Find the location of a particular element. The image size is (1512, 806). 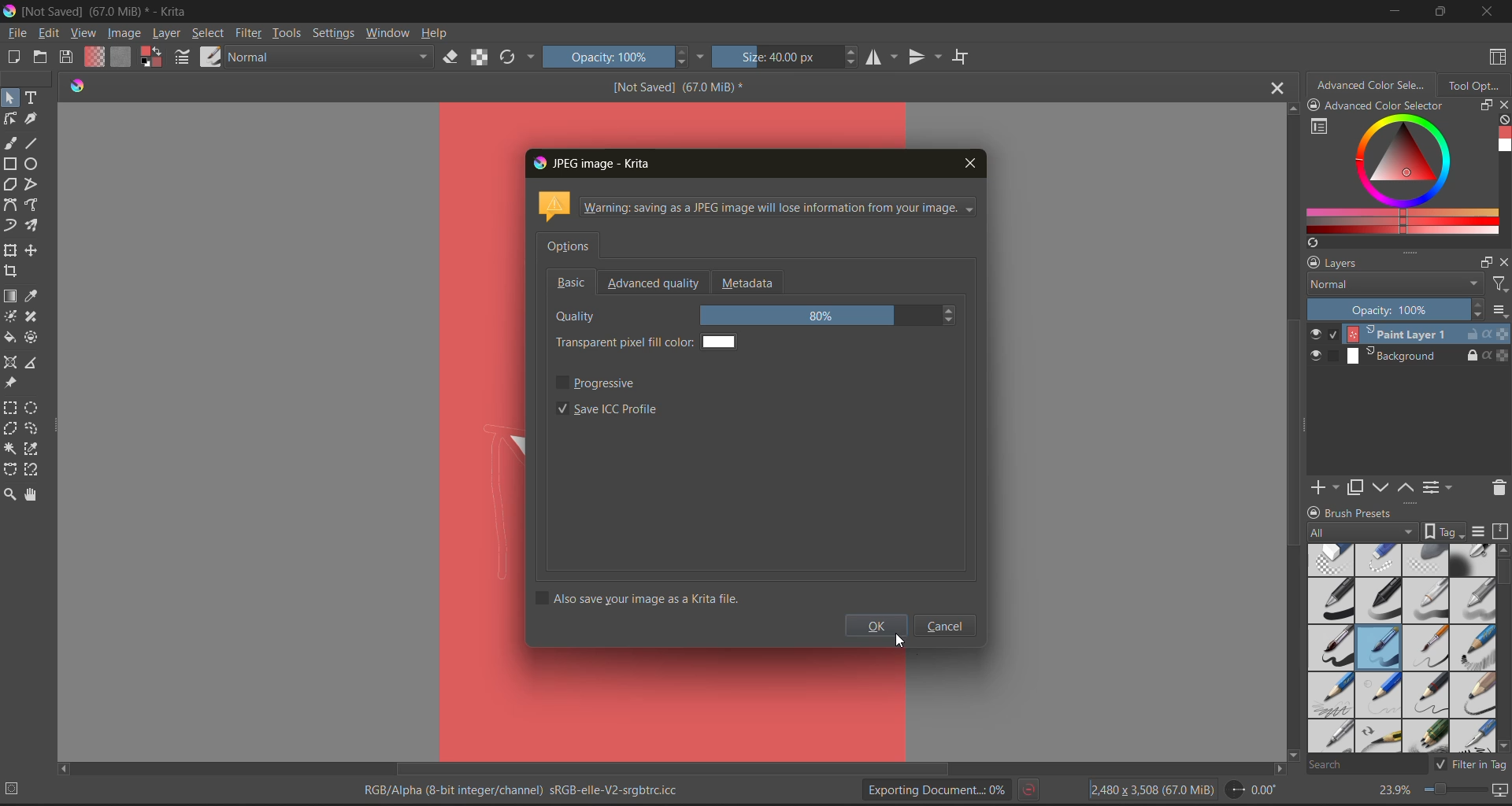

tools is located at coordinates (10, 409).